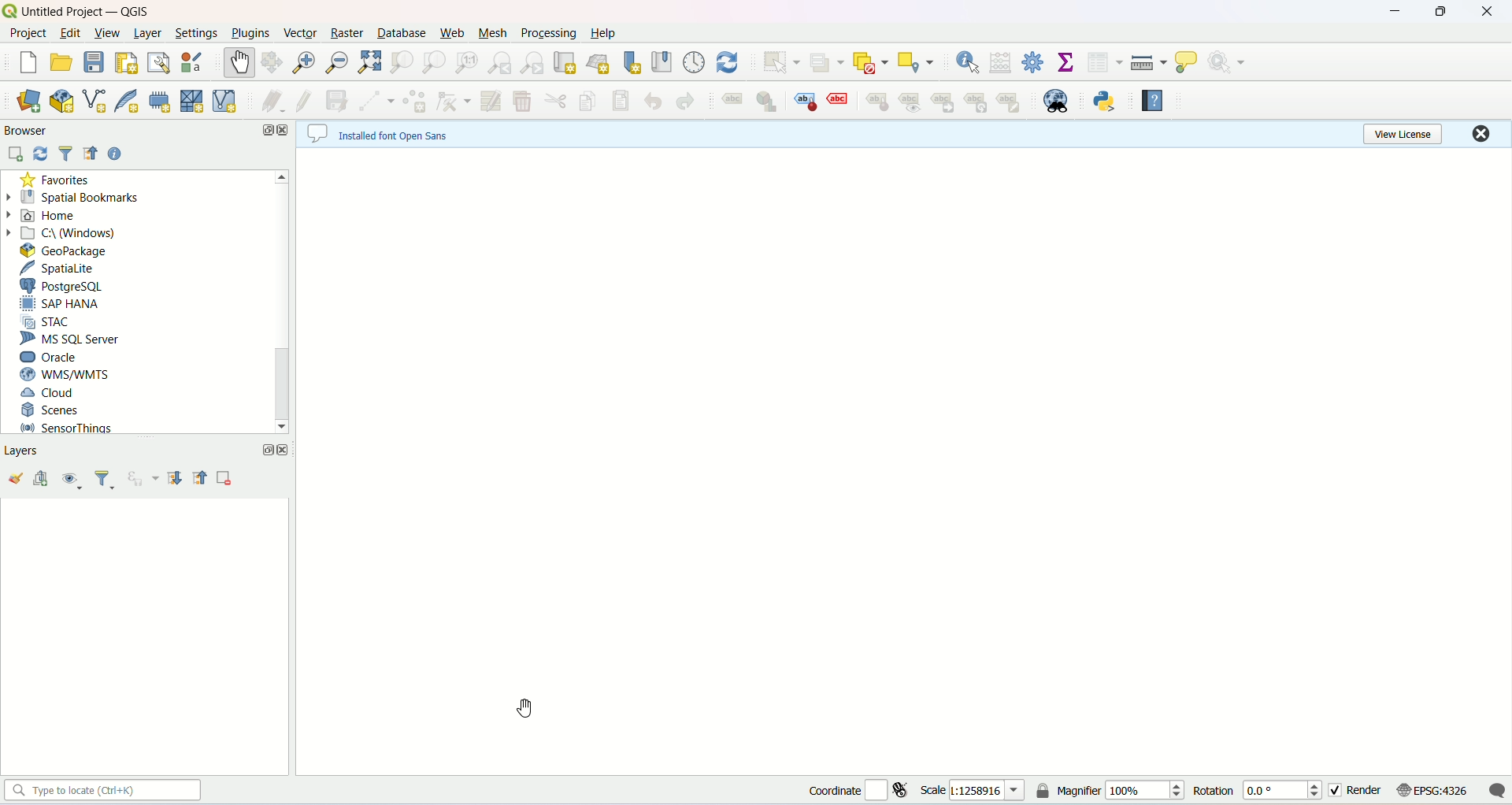 This screenshot has height=805, width=1512. What do you see at coordinates (42, 478) in the screenshot?
I see `add groups` at bounding box center [42, 478].